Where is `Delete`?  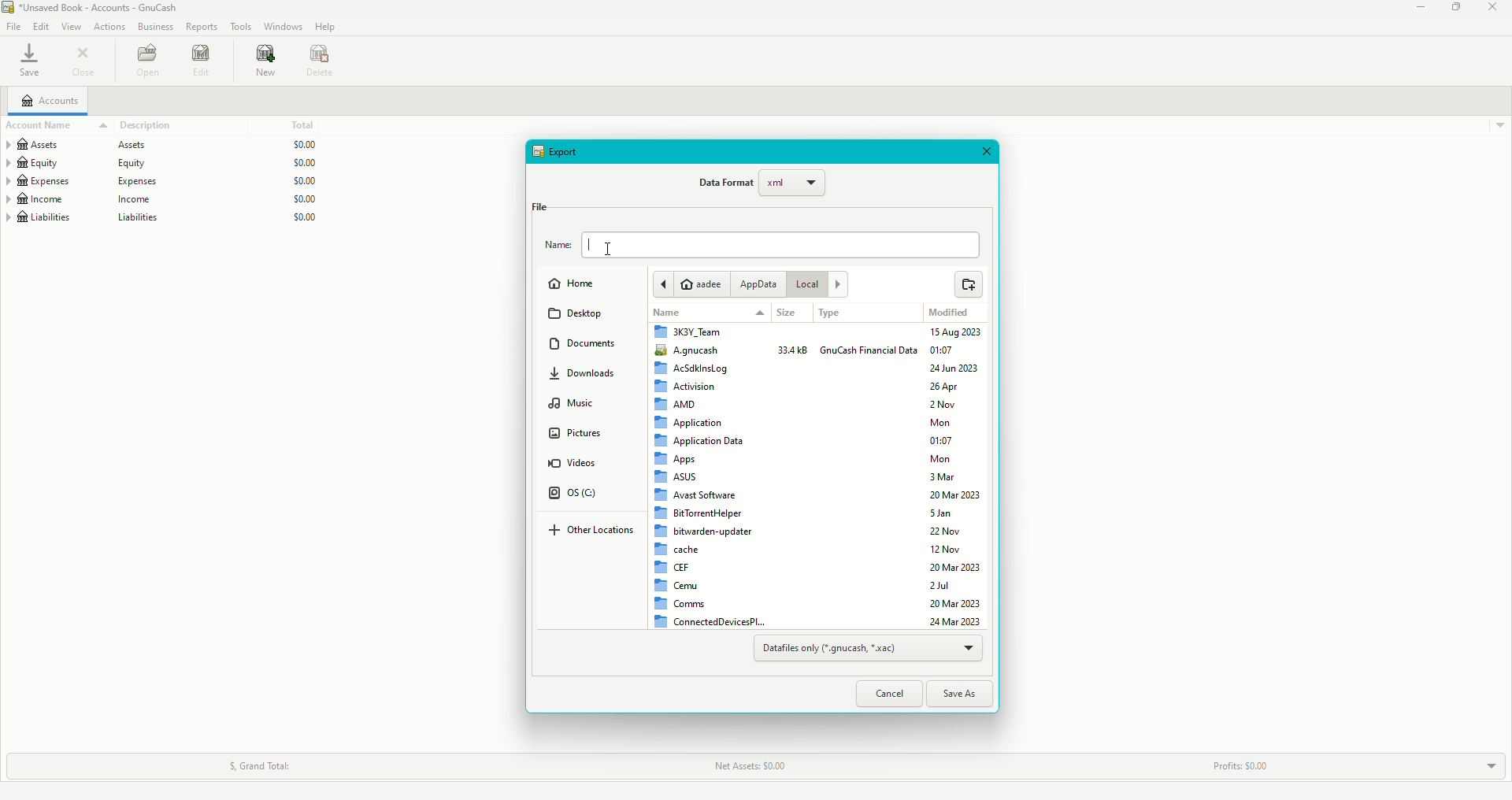
Delete is located at coordinates (324, 62).